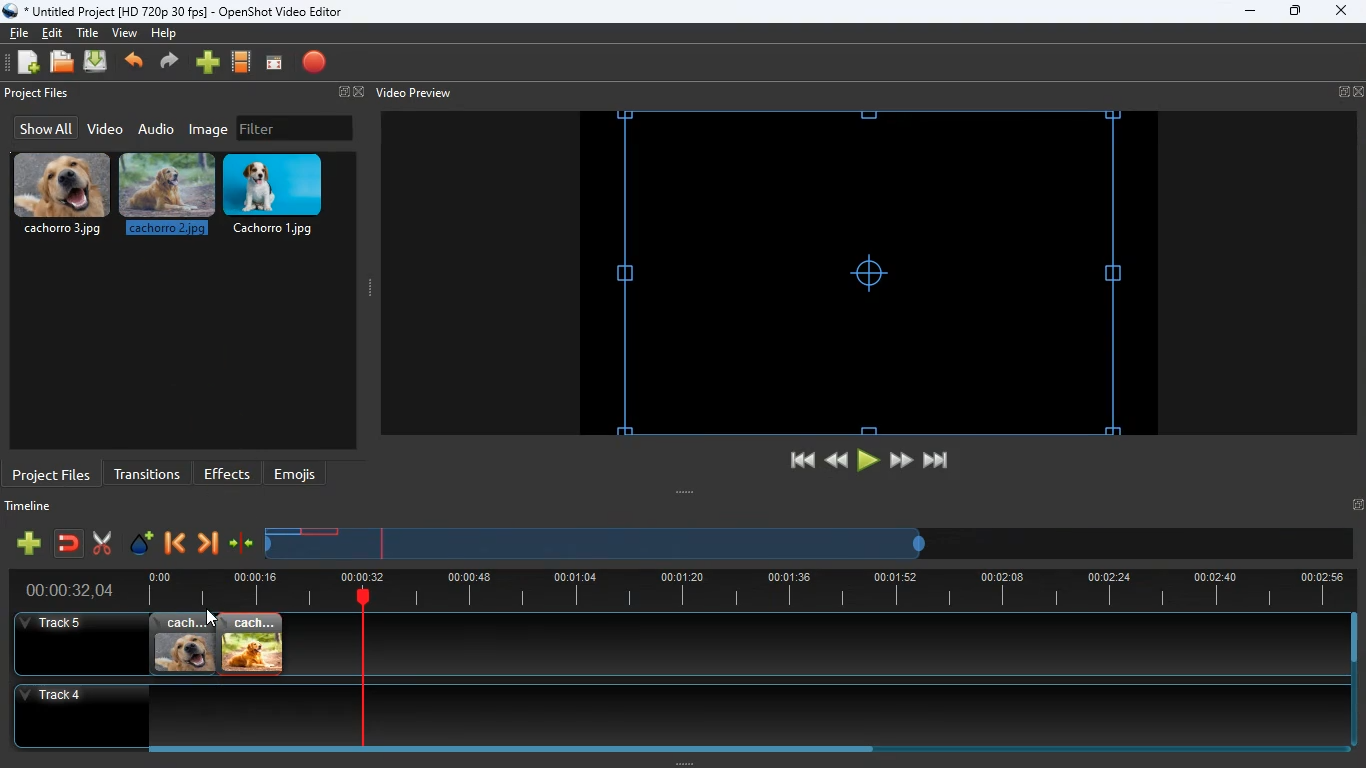  I want to click on add, so click(28, 543).